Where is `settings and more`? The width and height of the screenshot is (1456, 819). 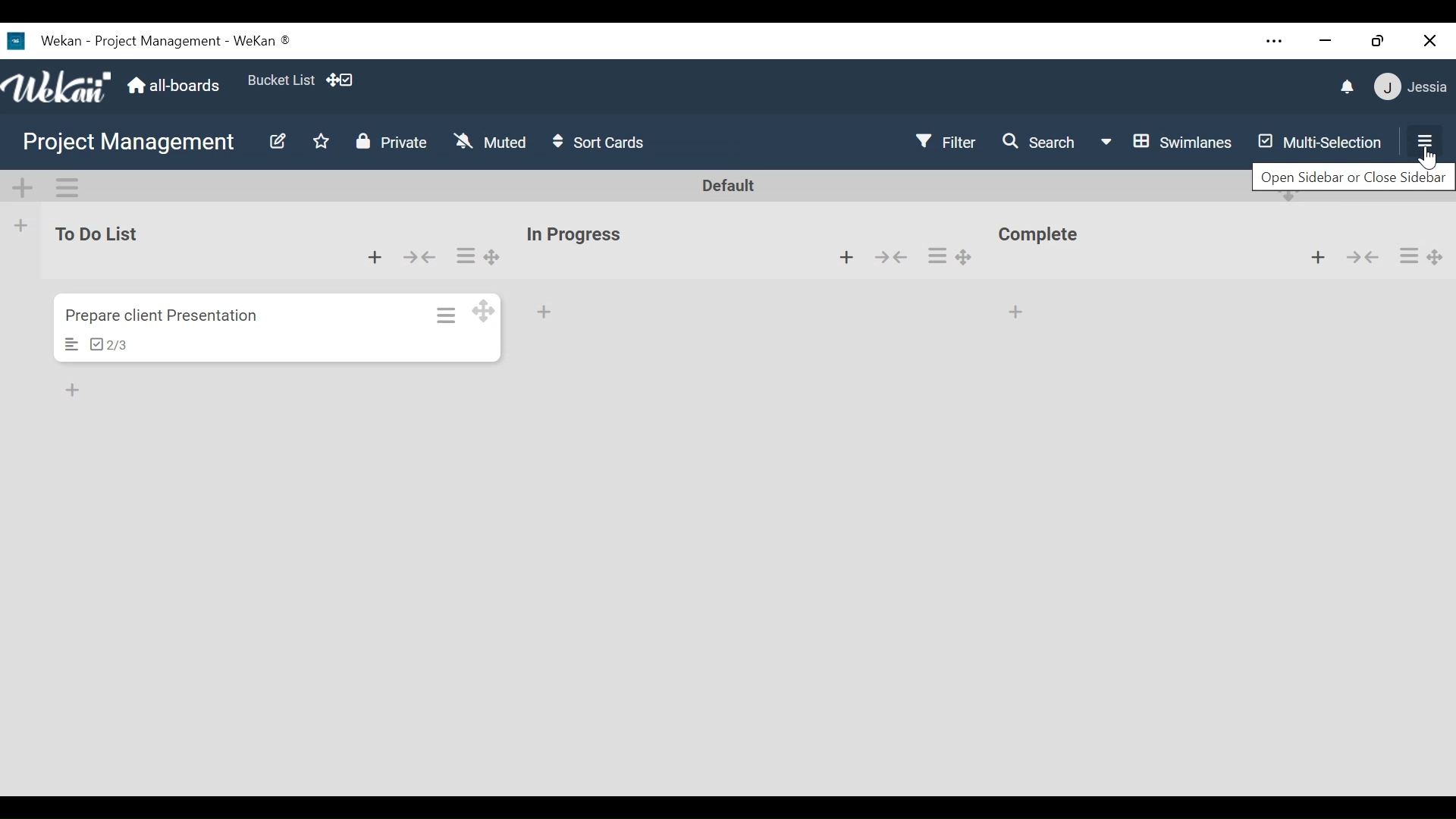 settings and more is located at coordinates (1276, 42).